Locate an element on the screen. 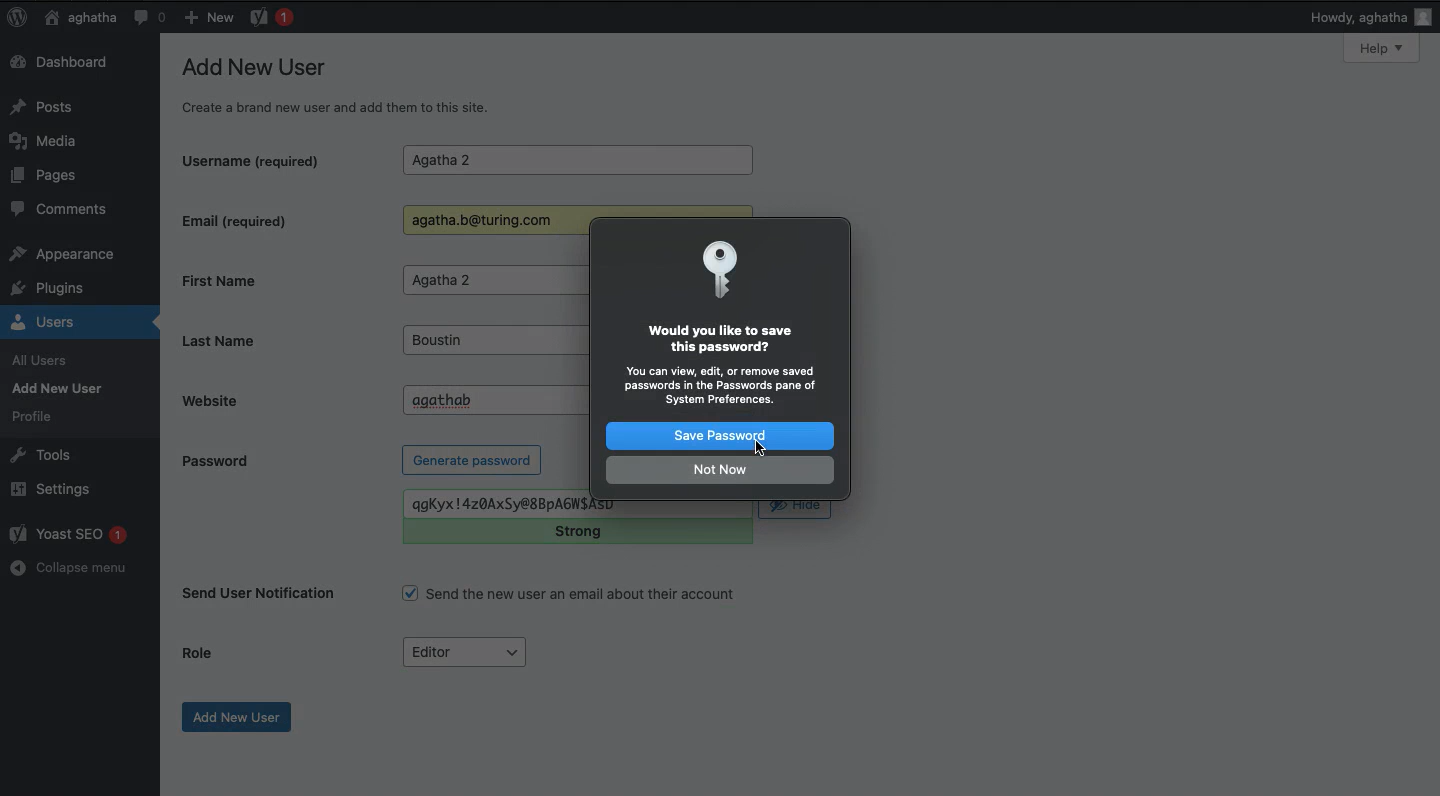 The image size is (1440, 796). Dashboard is located at coordinates (65, 63).